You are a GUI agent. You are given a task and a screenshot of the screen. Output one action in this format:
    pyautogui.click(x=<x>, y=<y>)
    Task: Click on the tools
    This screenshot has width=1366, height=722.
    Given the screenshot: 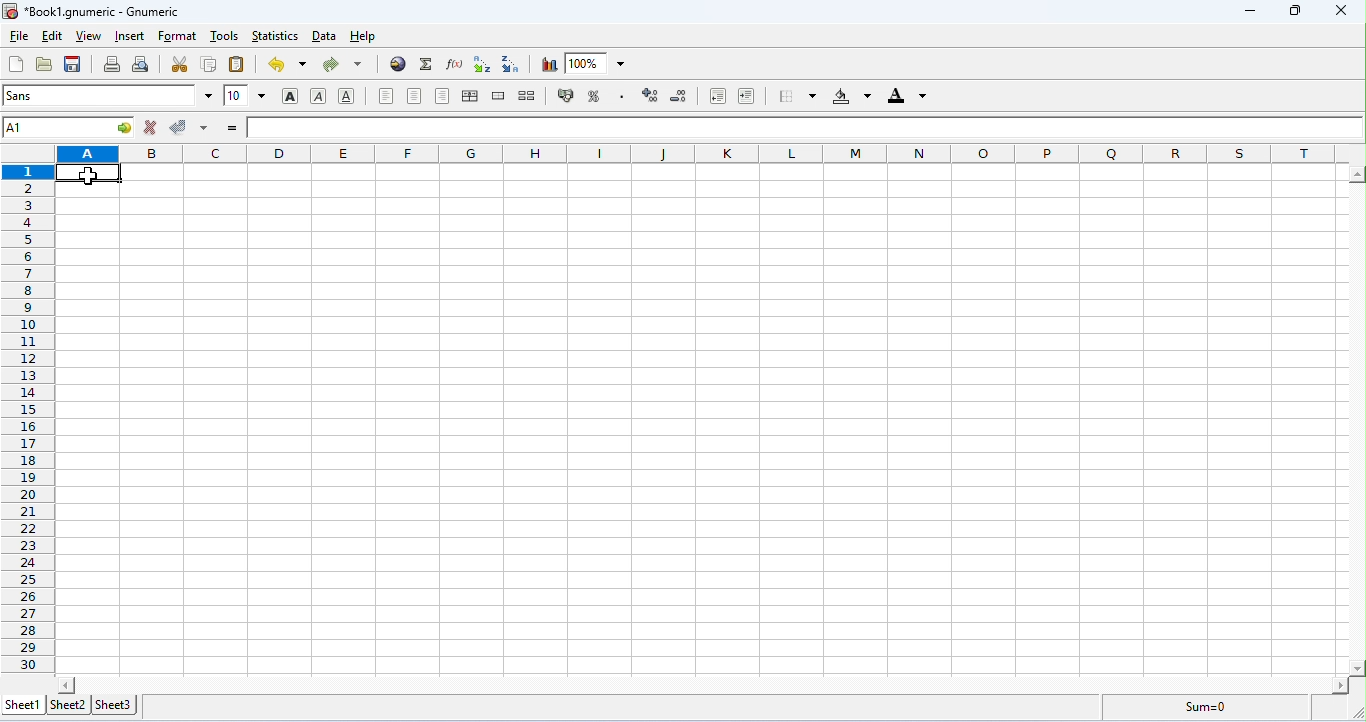 What is the action you would take?
    pyautogui.click(x=226, y=37)
    